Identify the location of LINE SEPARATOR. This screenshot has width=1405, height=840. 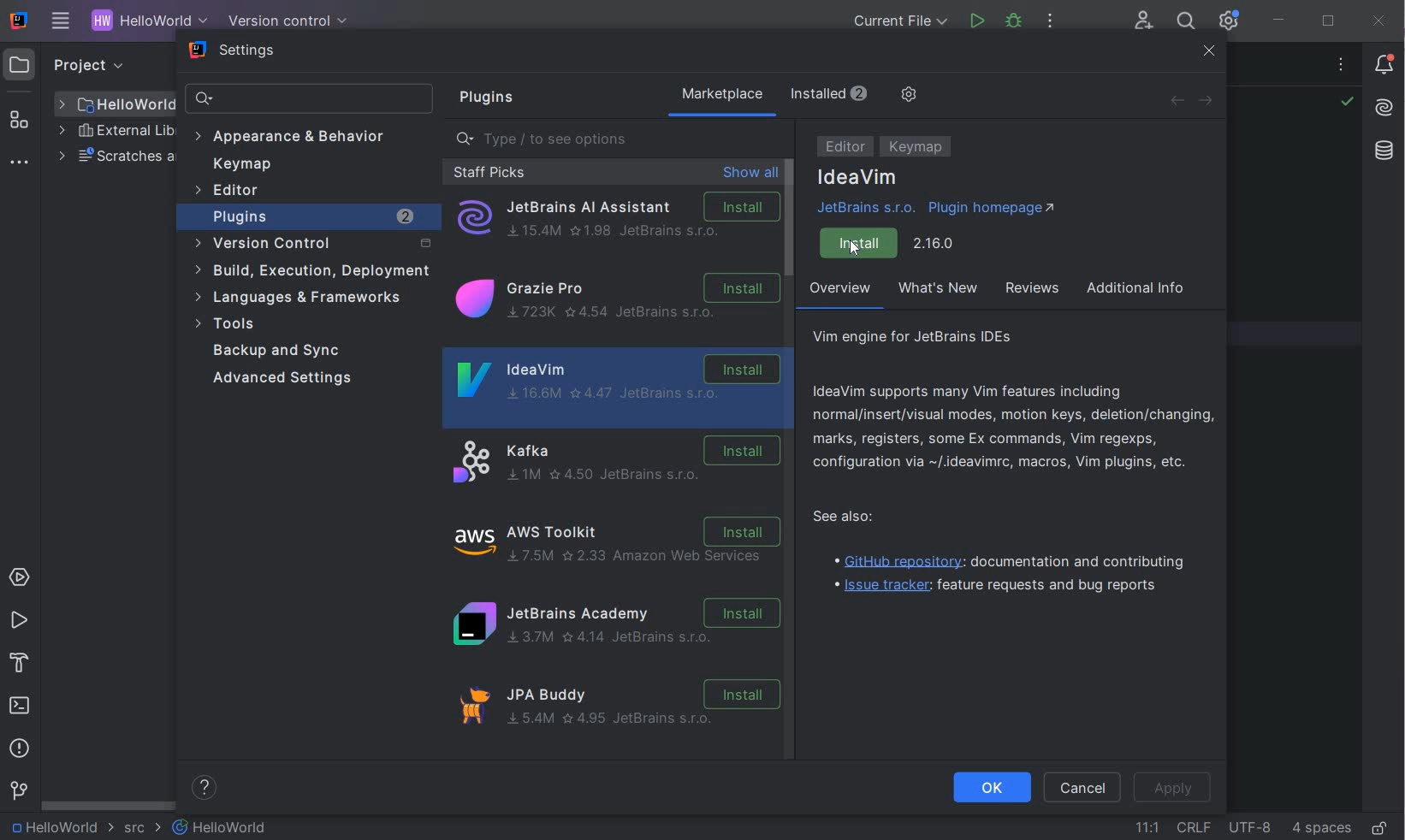
(1193, 827).